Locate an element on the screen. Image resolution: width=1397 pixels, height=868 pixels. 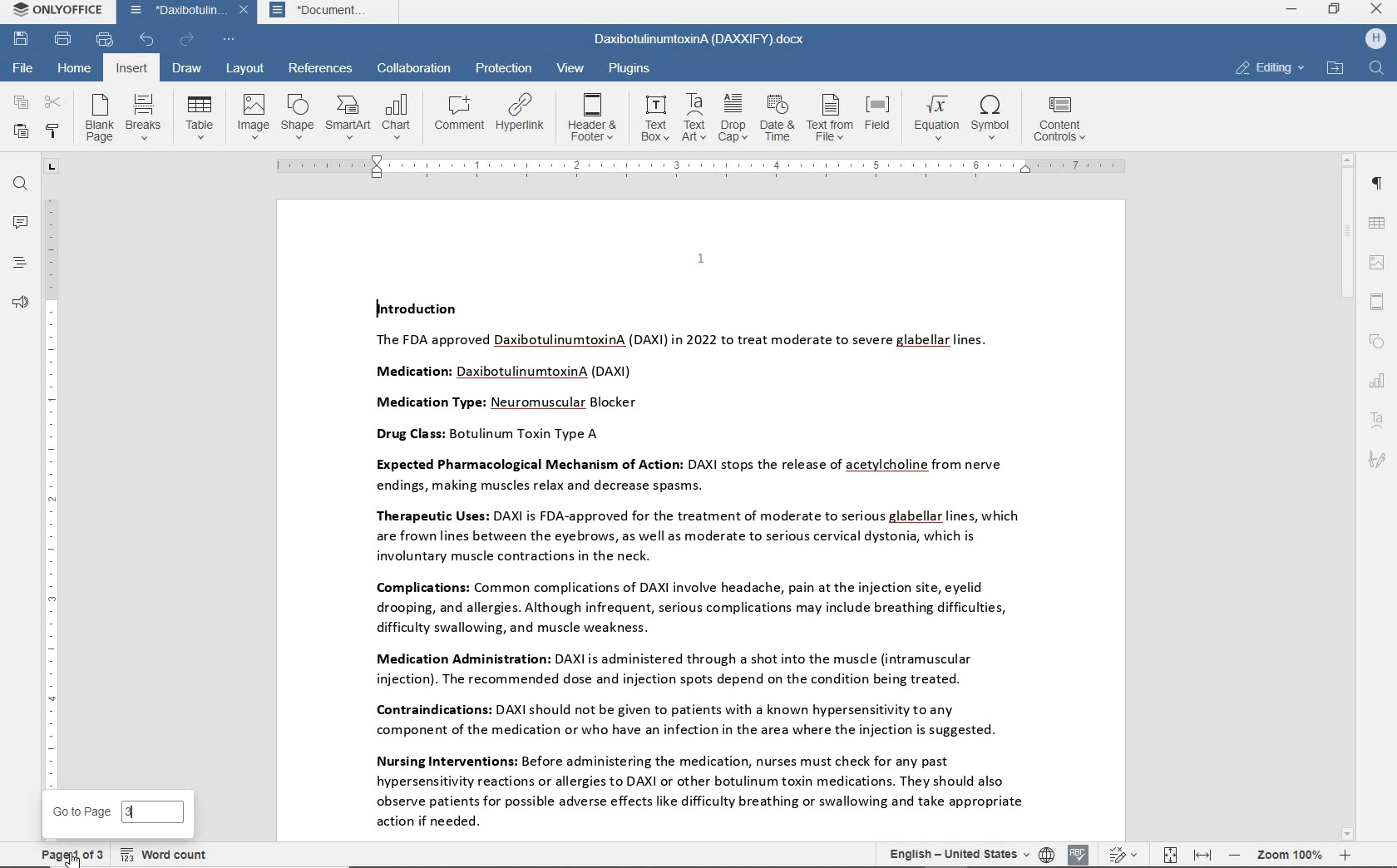
paragraph settings is located at coordinates (1375, 183).